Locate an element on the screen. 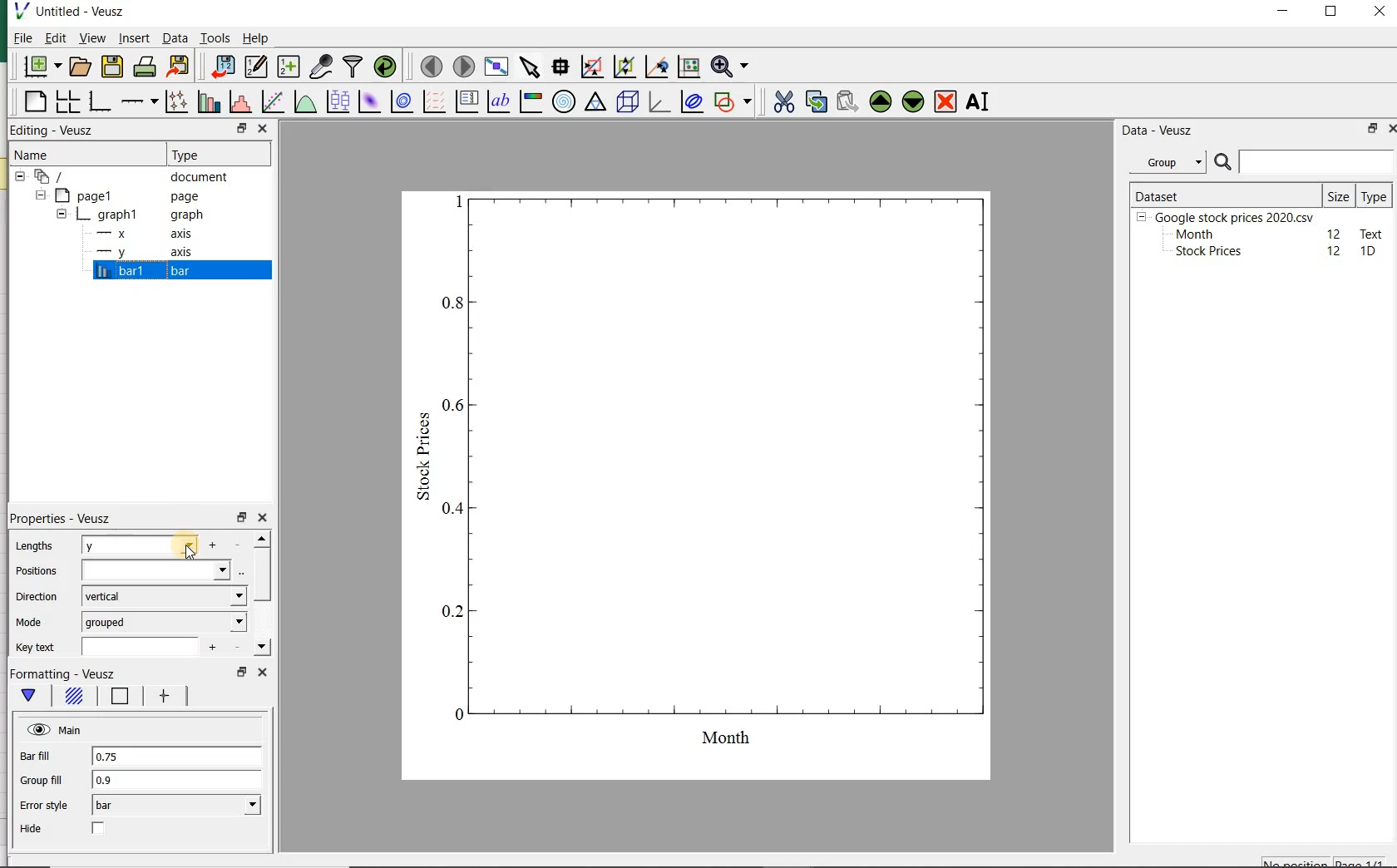 The width and height of the screenshot is (1397, 868). new document is located at coordinates (42, 67).